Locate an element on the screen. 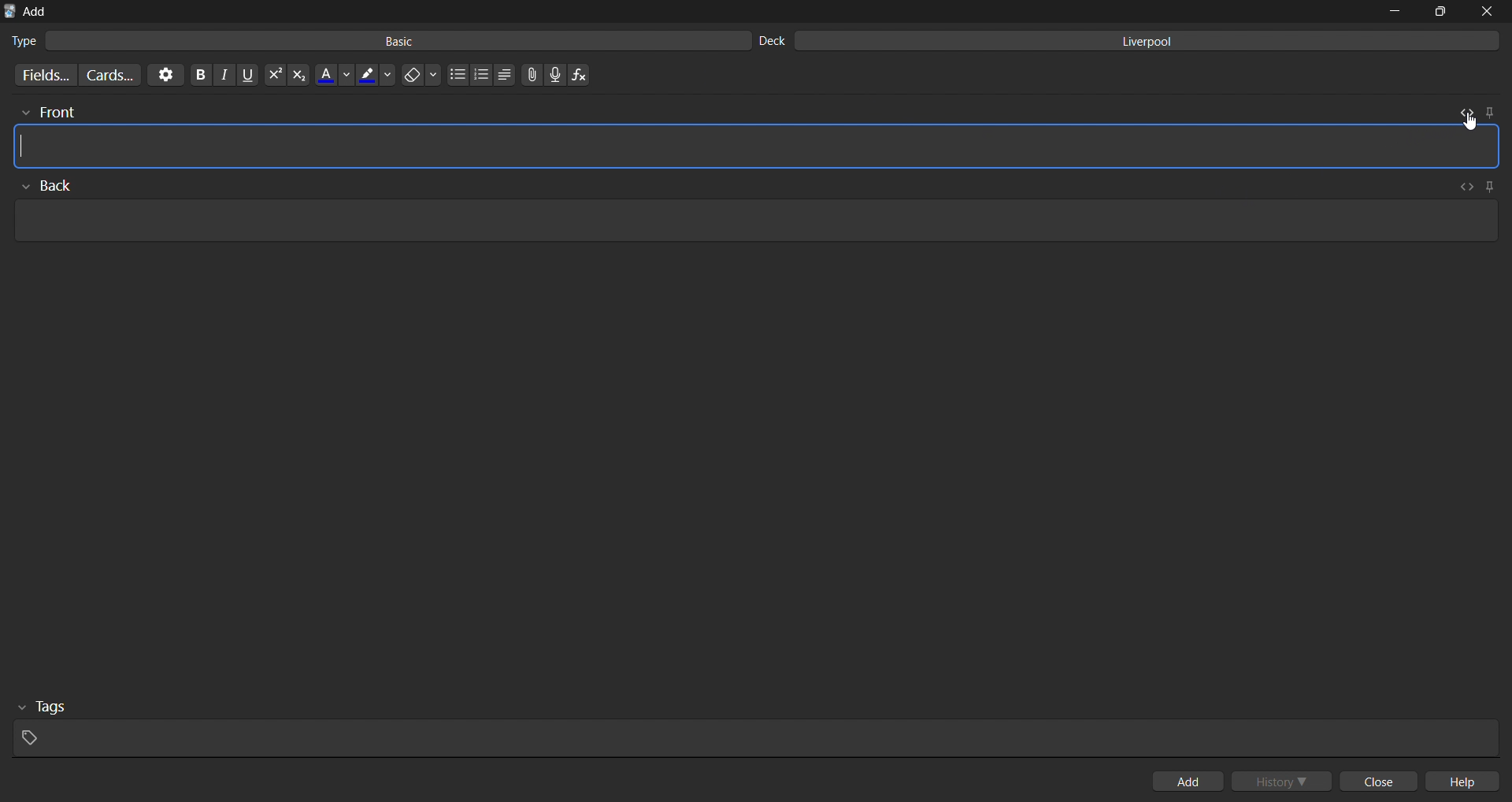  card back input field is located at coordinates (758, 222).